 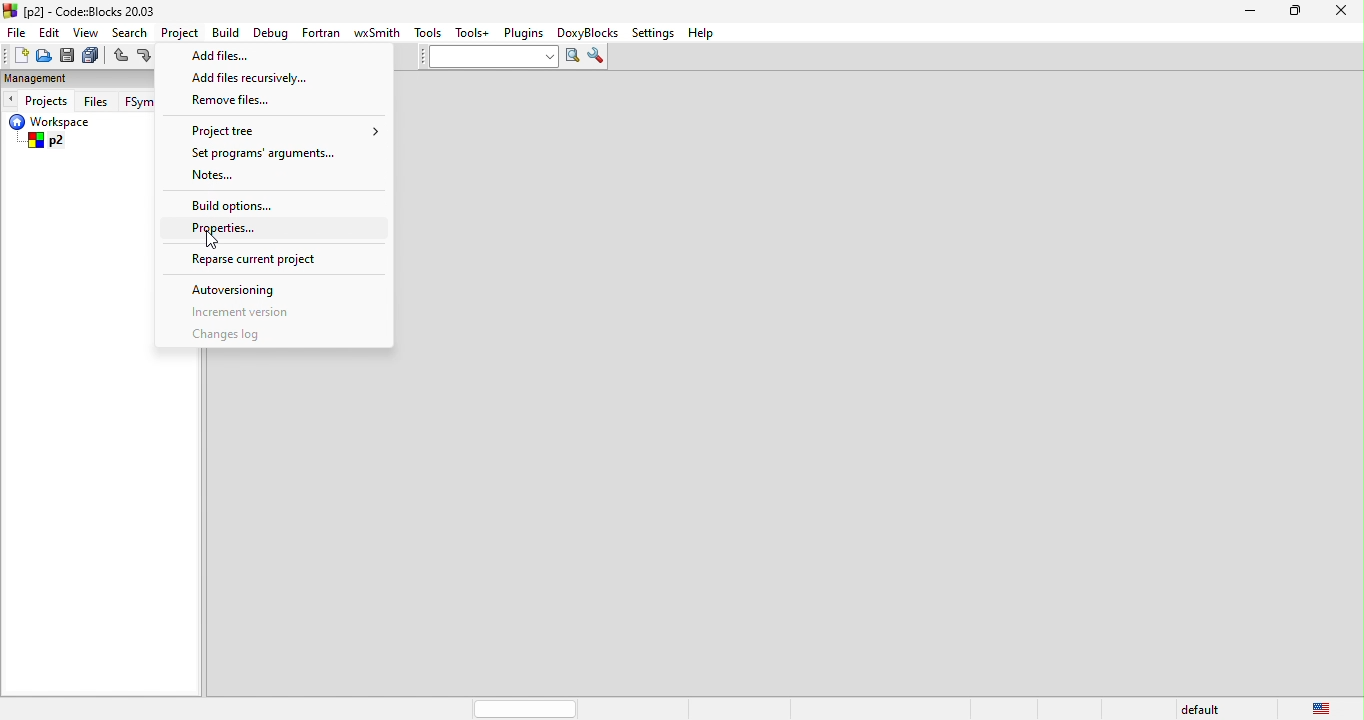 What do you see at coordinates (246, 336) in the screenshot?
I see `changes log` at bounding box center [246, 336].